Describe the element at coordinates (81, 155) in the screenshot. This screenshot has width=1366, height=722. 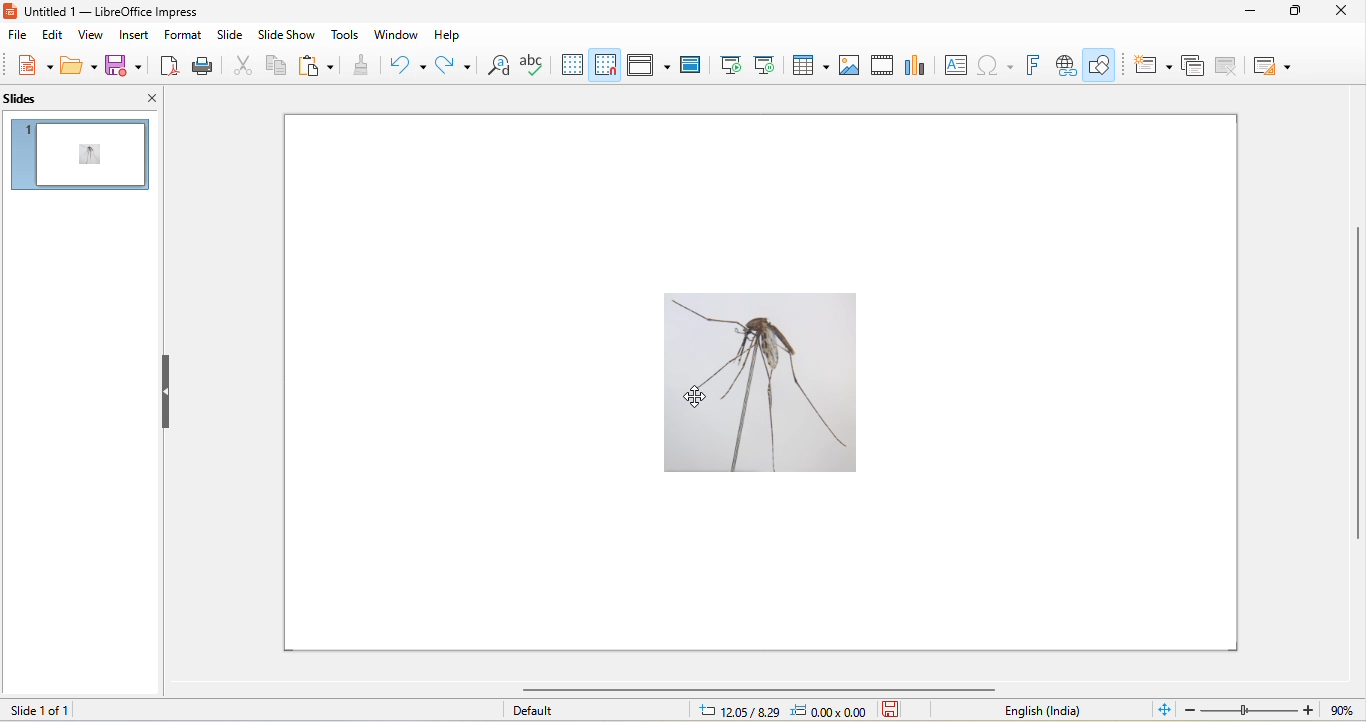
I see `slide preview in slide pane` at that location.